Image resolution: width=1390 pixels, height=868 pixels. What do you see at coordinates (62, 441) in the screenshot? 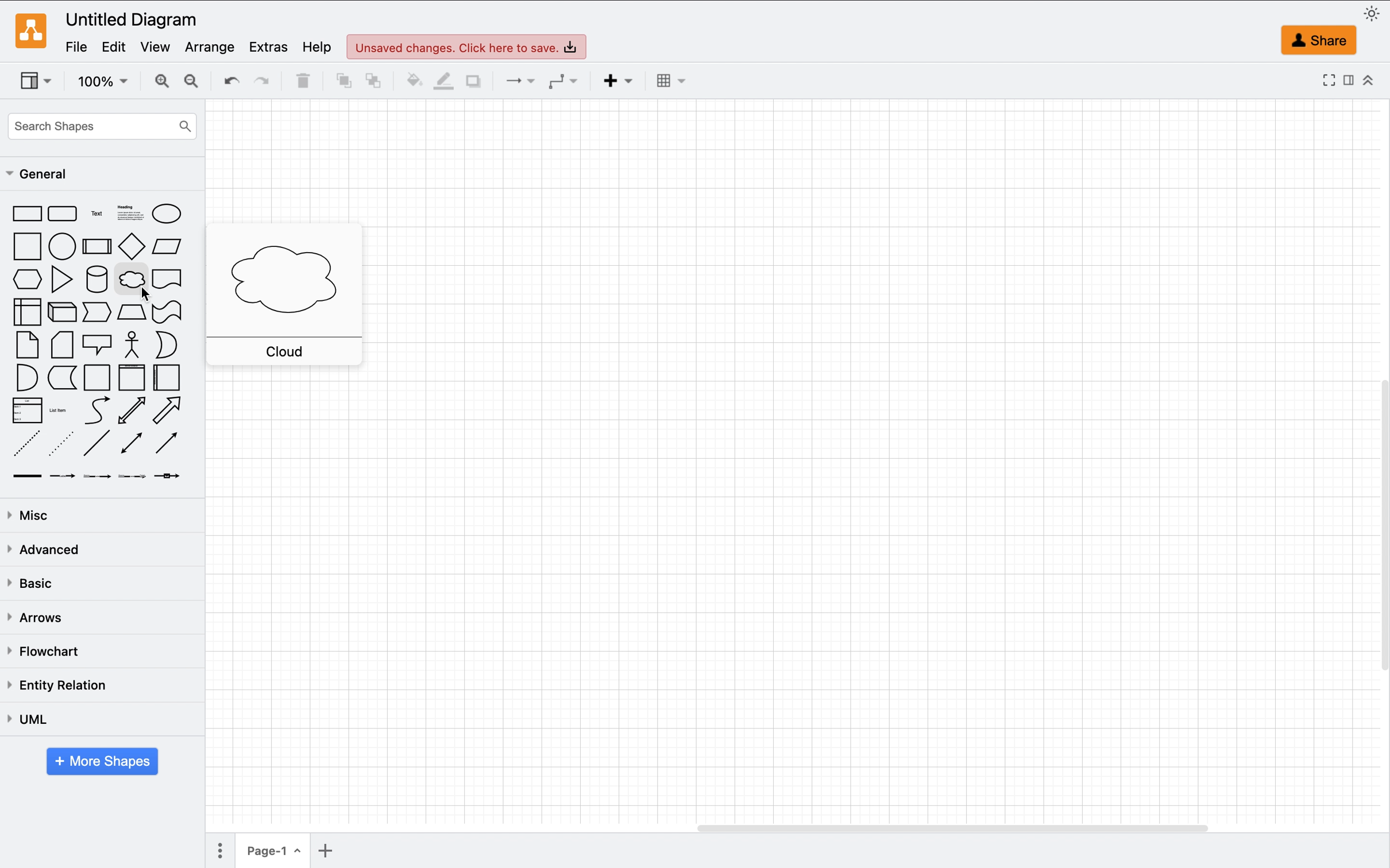
I see `dotted line` at bounding box center [62, 441].